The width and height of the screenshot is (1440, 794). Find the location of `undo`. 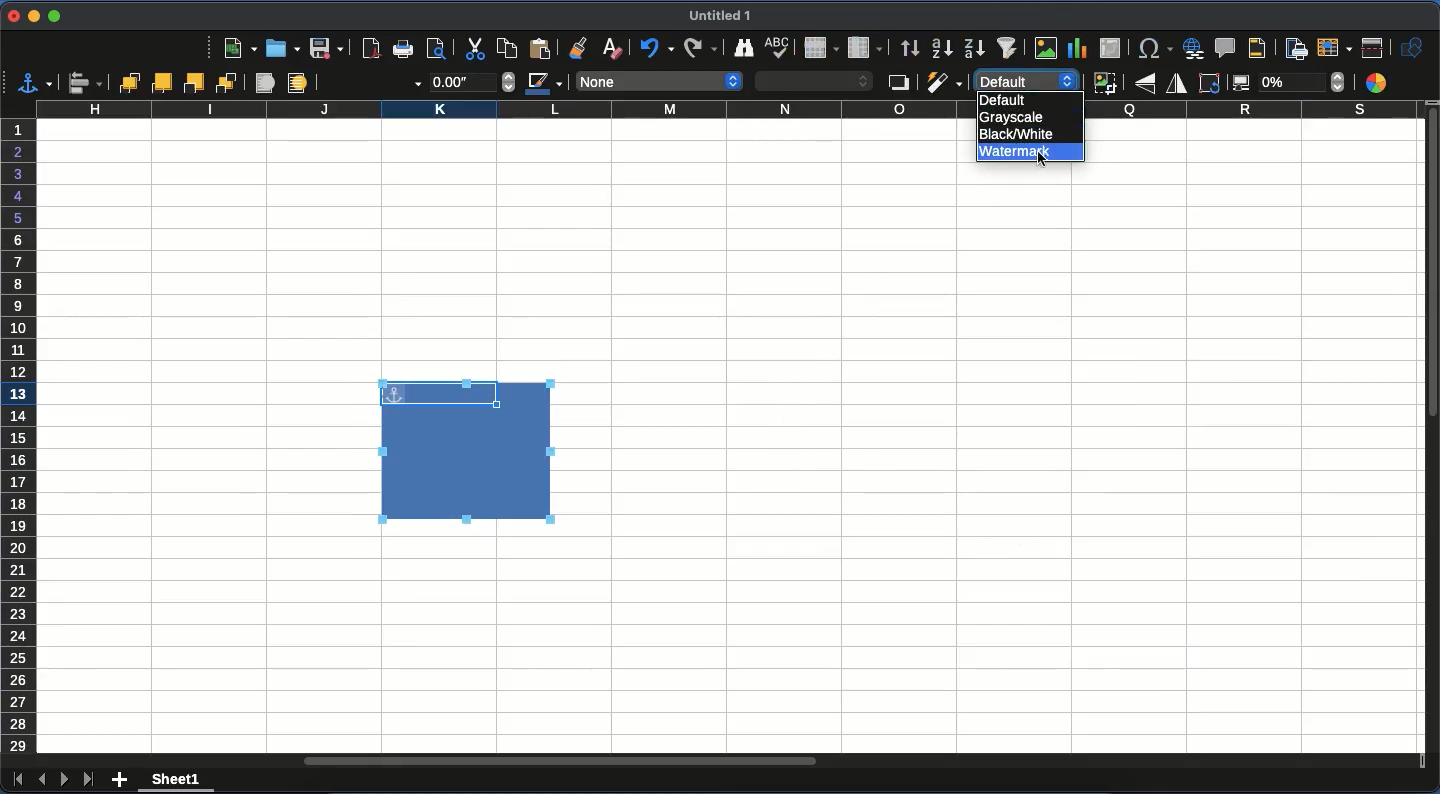

undo is located at coordinates (658, 47).